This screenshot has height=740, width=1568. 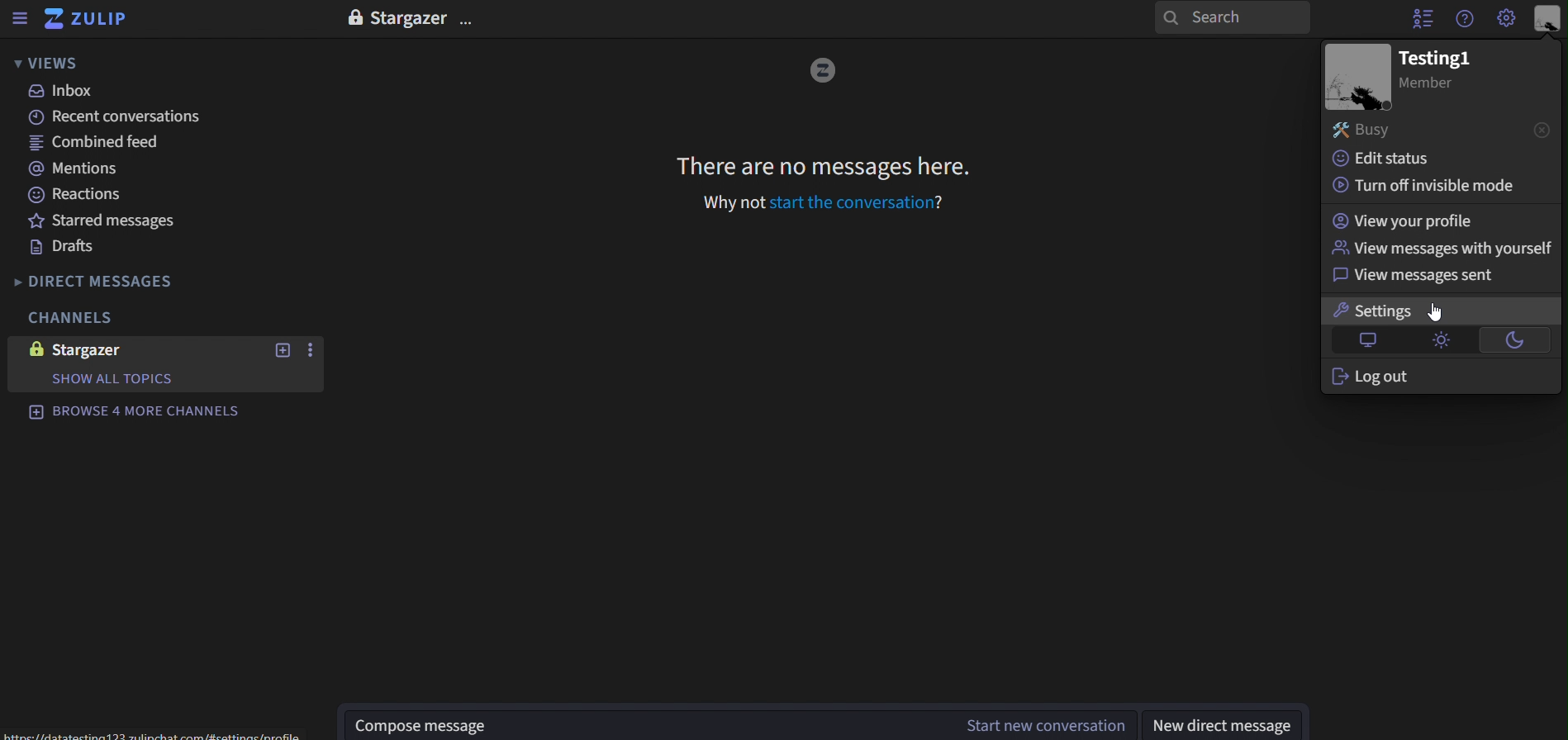 I want to click on hide user list, so click(x=1421, y=18).